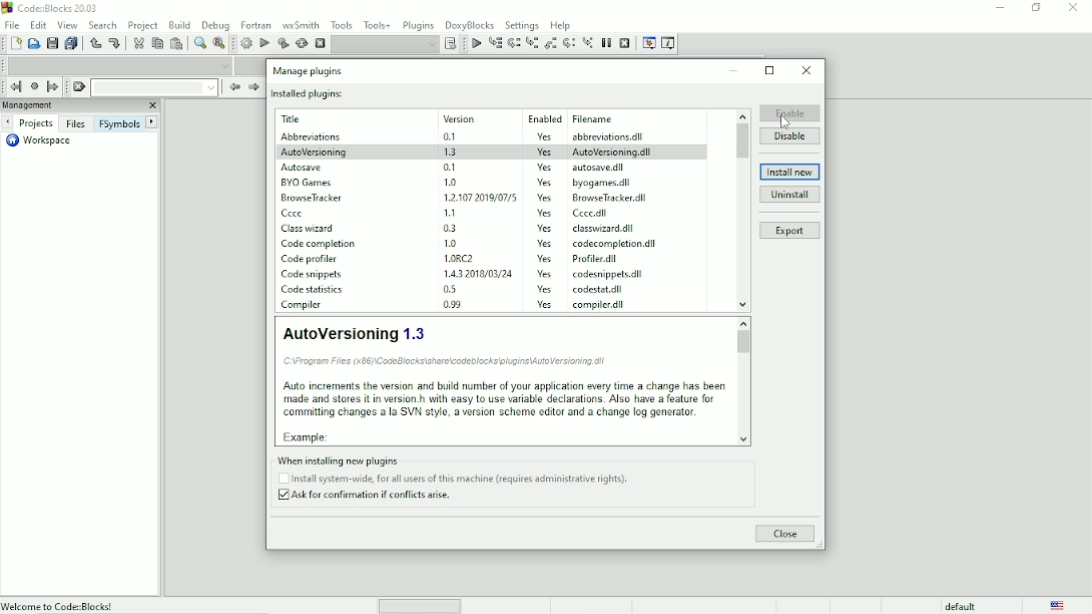 This screenshot has height=614, width=1092. What do you see at coordinates (477, 258) in the screenshot?
I see `version ` at bounding box center [477, 258].